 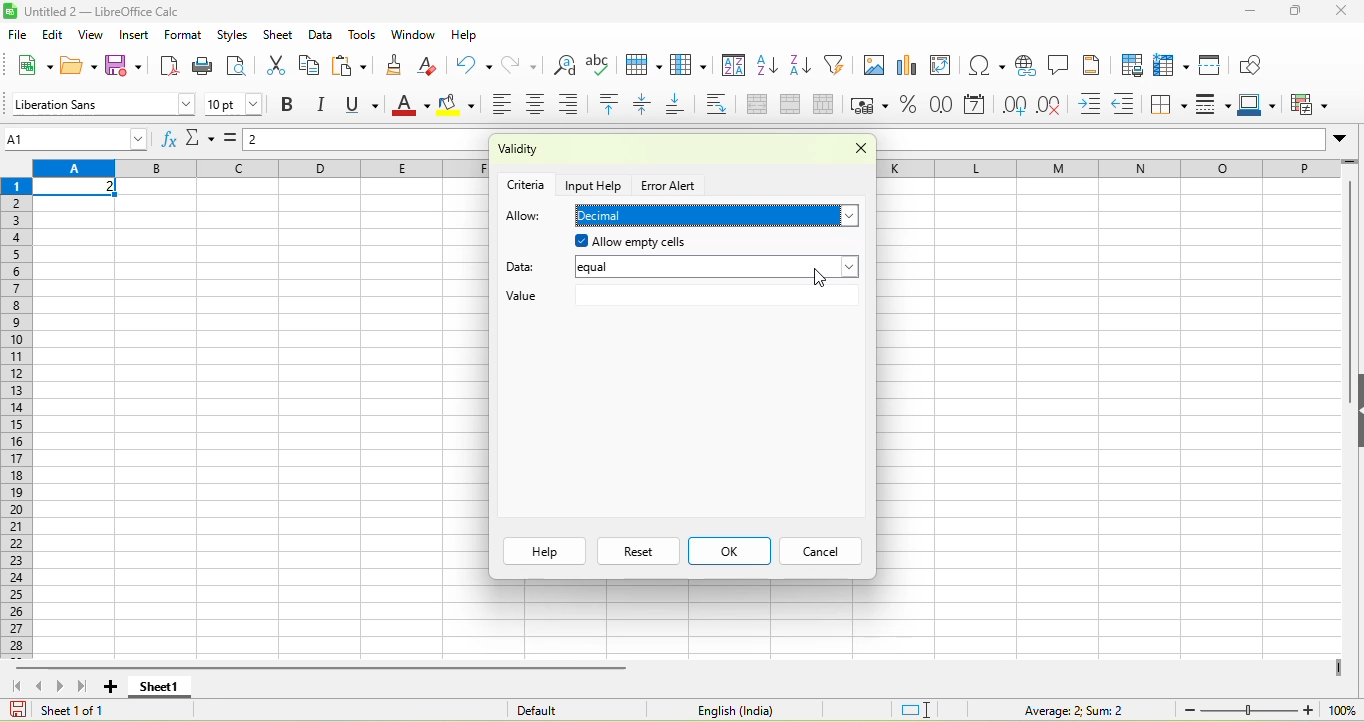 I want to click on deciman, so click(x=719, y=216).